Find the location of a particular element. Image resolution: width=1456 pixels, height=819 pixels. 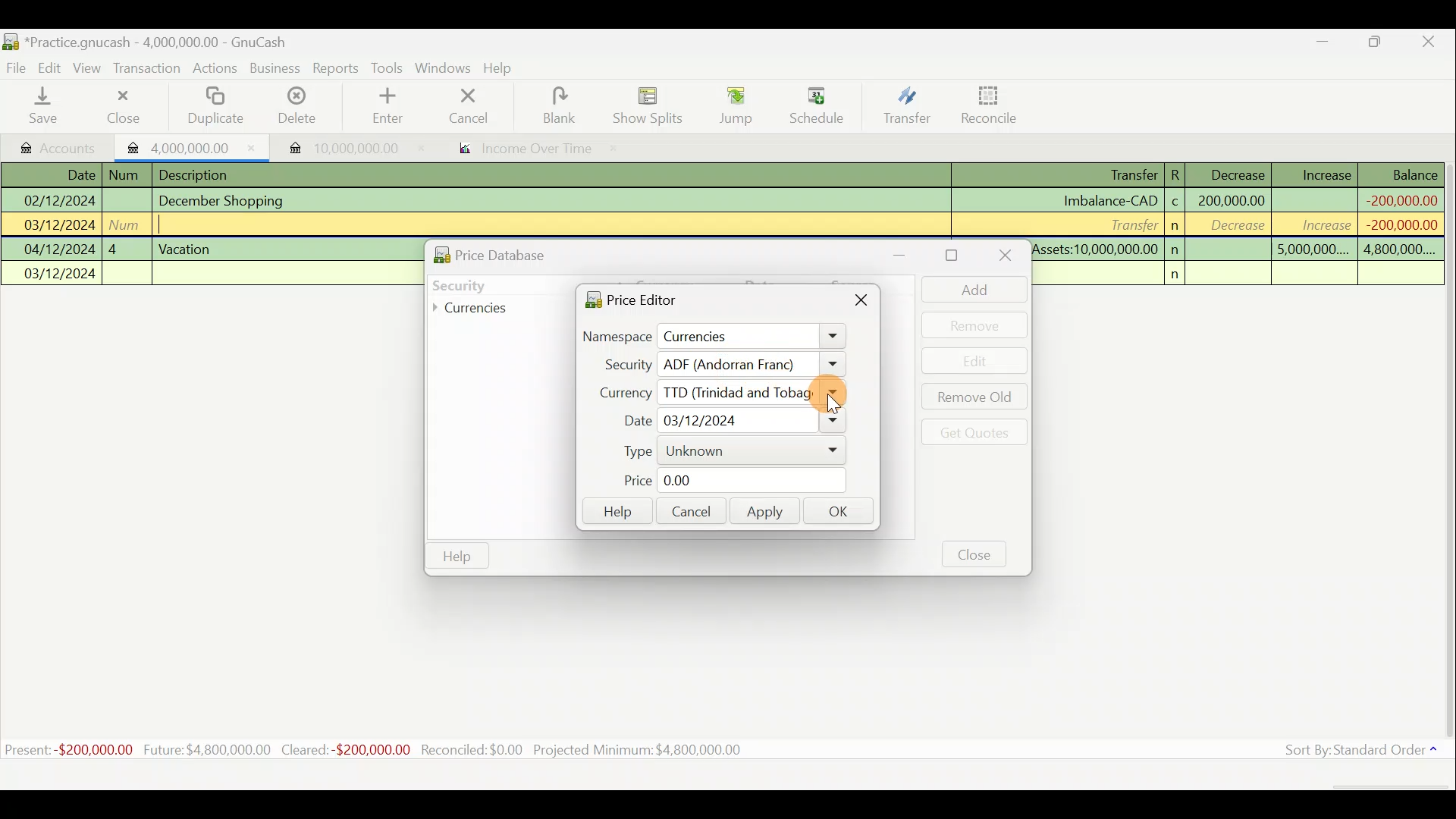

File is located at coordinates (17, 65).